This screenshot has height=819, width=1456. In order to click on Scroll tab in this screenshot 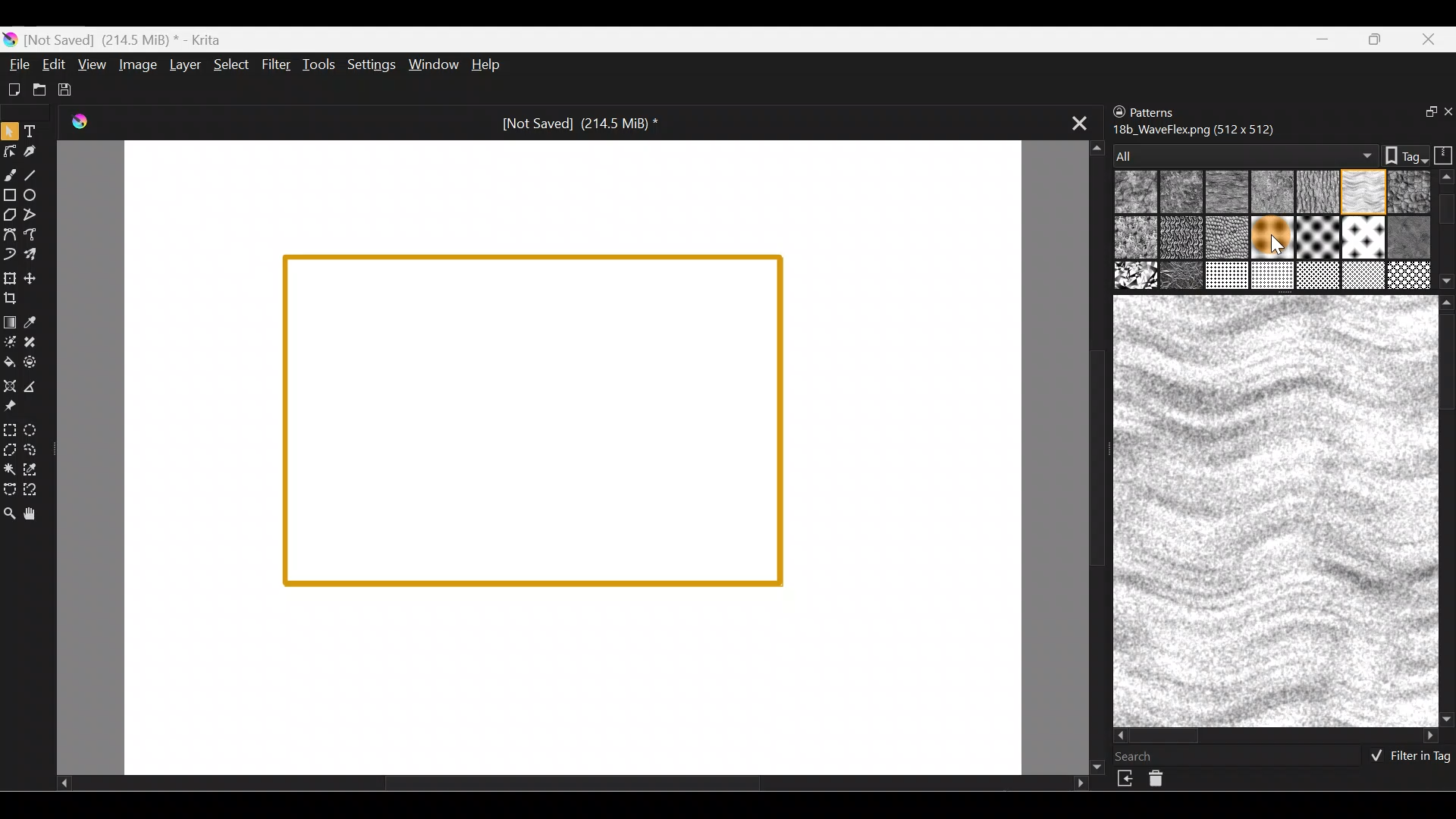, I will do `click(1090, 455)`.